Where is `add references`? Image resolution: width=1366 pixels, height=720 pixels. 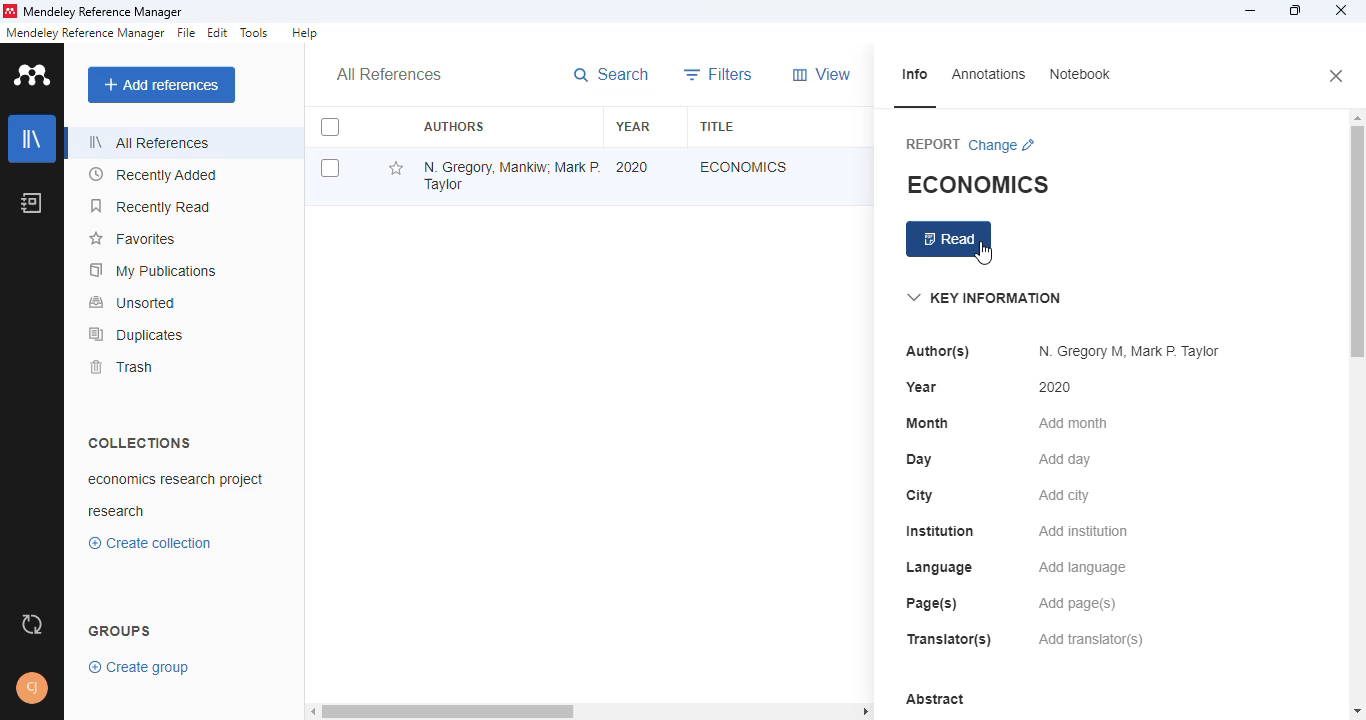
add references is located at coordinates (161, 85).